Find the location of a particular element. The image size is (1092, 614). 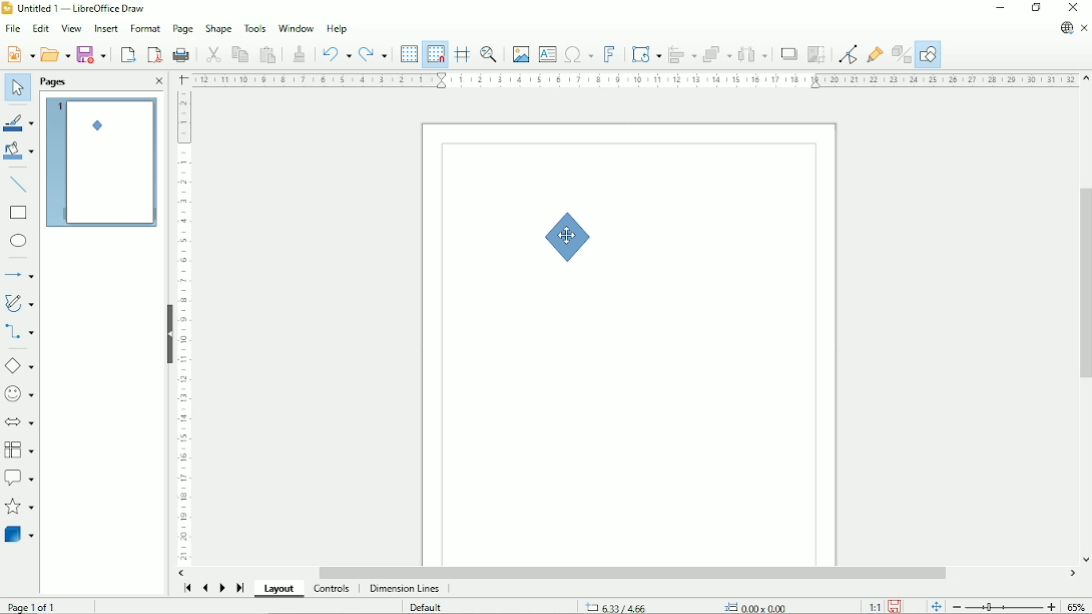

Toggle extrusion is located at coordinates (900, 54).